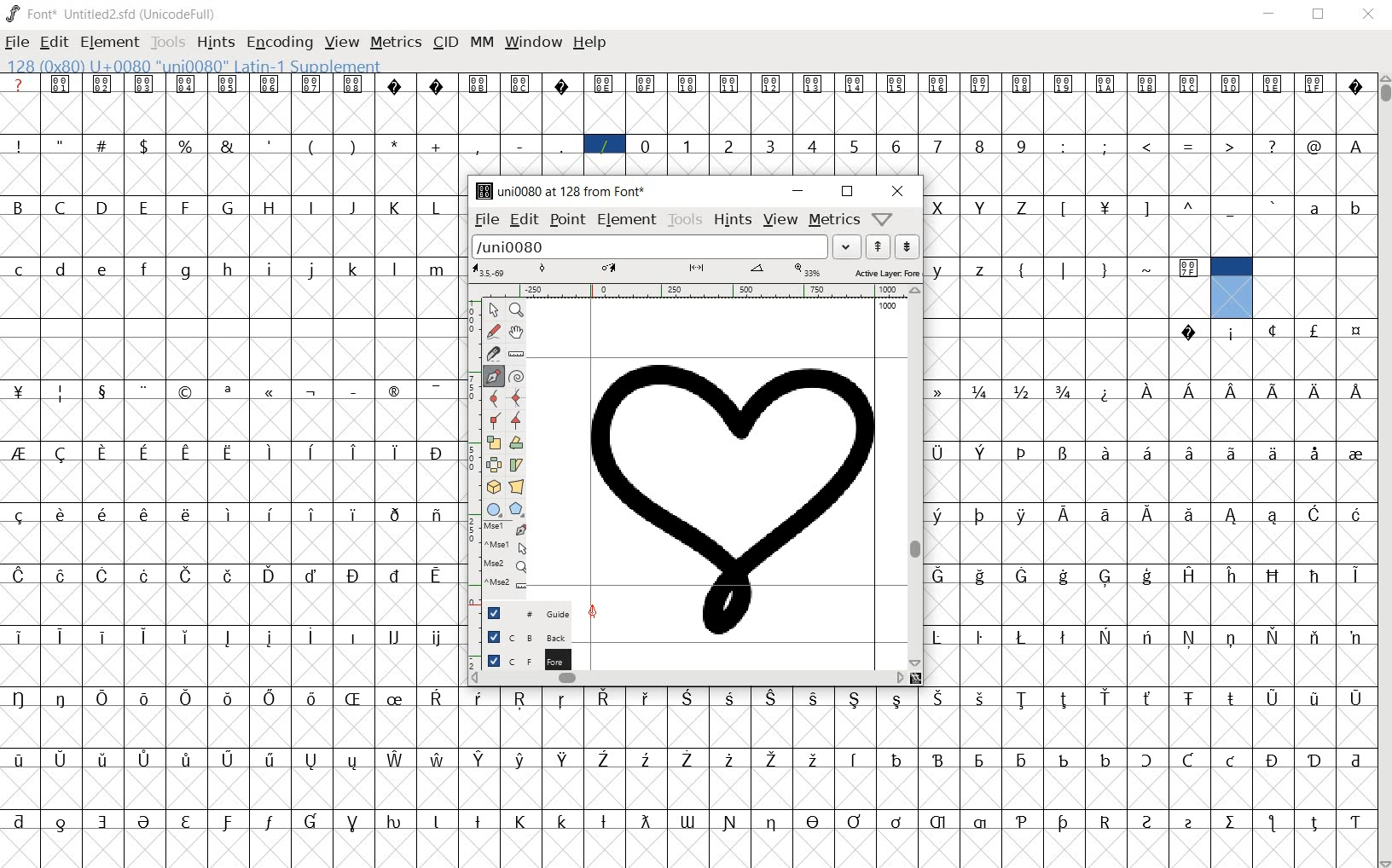  Describe the element at coordinates (1145, 210) in the screenshot. I see `glyph` at that location.